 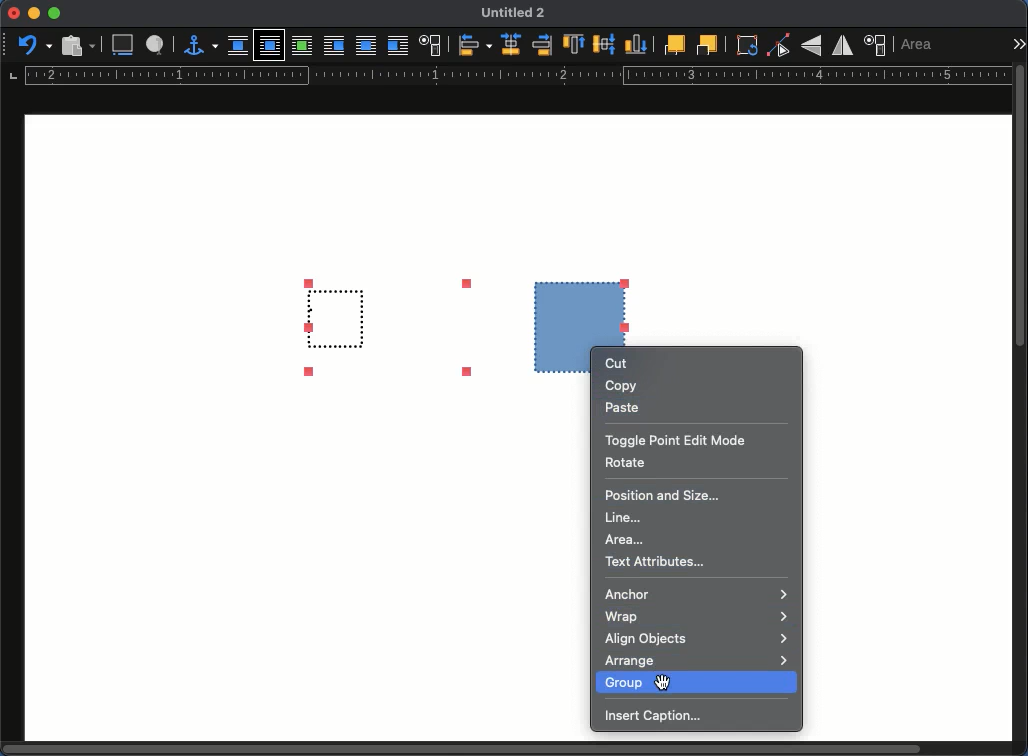 What do you see at coordinates (634, 43) in the screenshot?
I see `bottom` at bounding box center [634, 43].